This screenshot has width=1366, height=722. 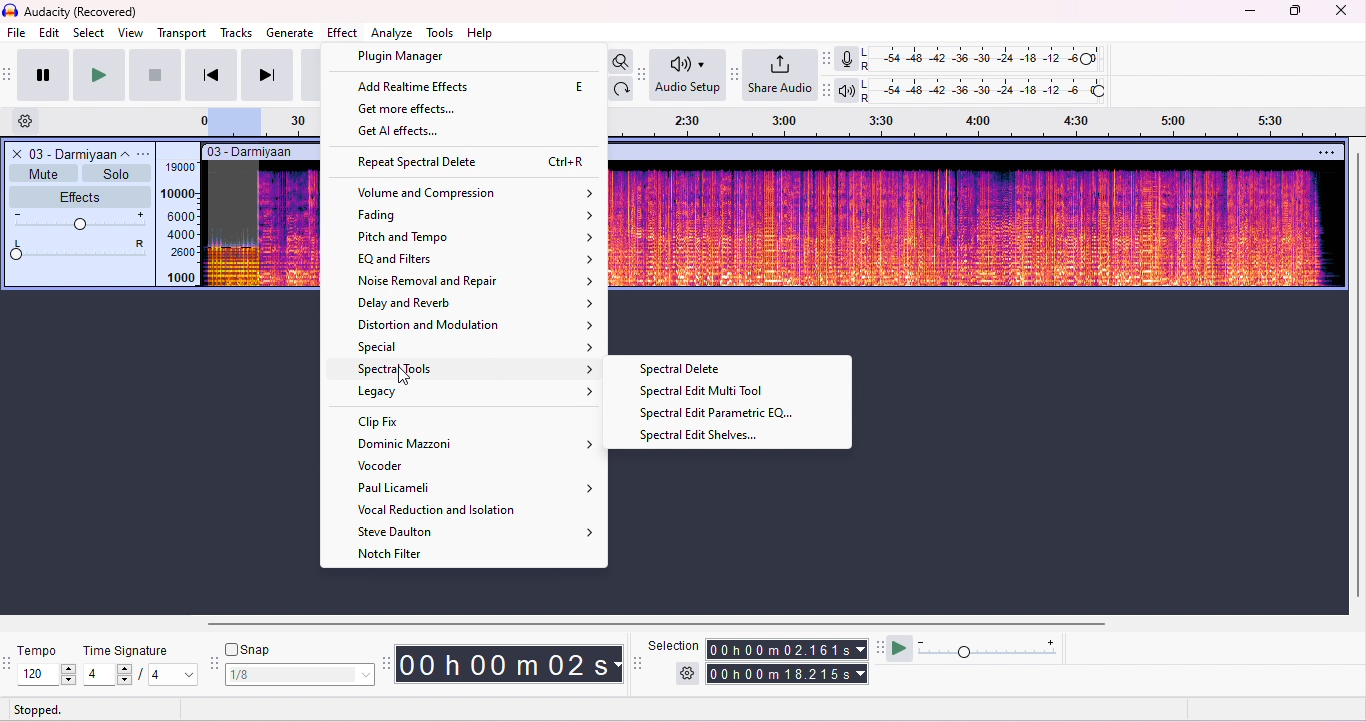 I want to click on effects, so click(x=79, y=195).